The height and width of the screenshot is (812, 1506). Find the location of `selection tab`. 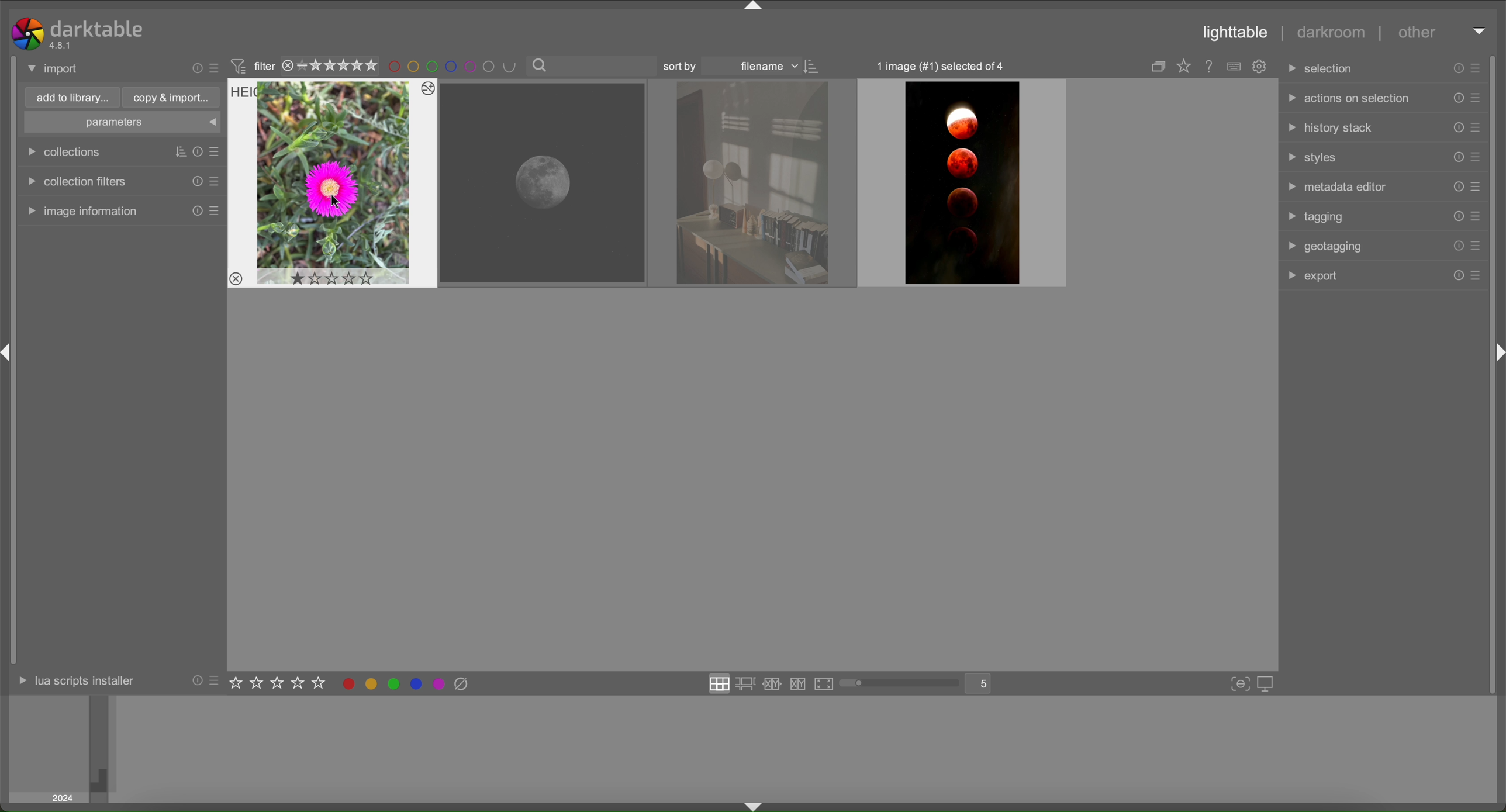

selection tab is located at coordinates (1326, 71).